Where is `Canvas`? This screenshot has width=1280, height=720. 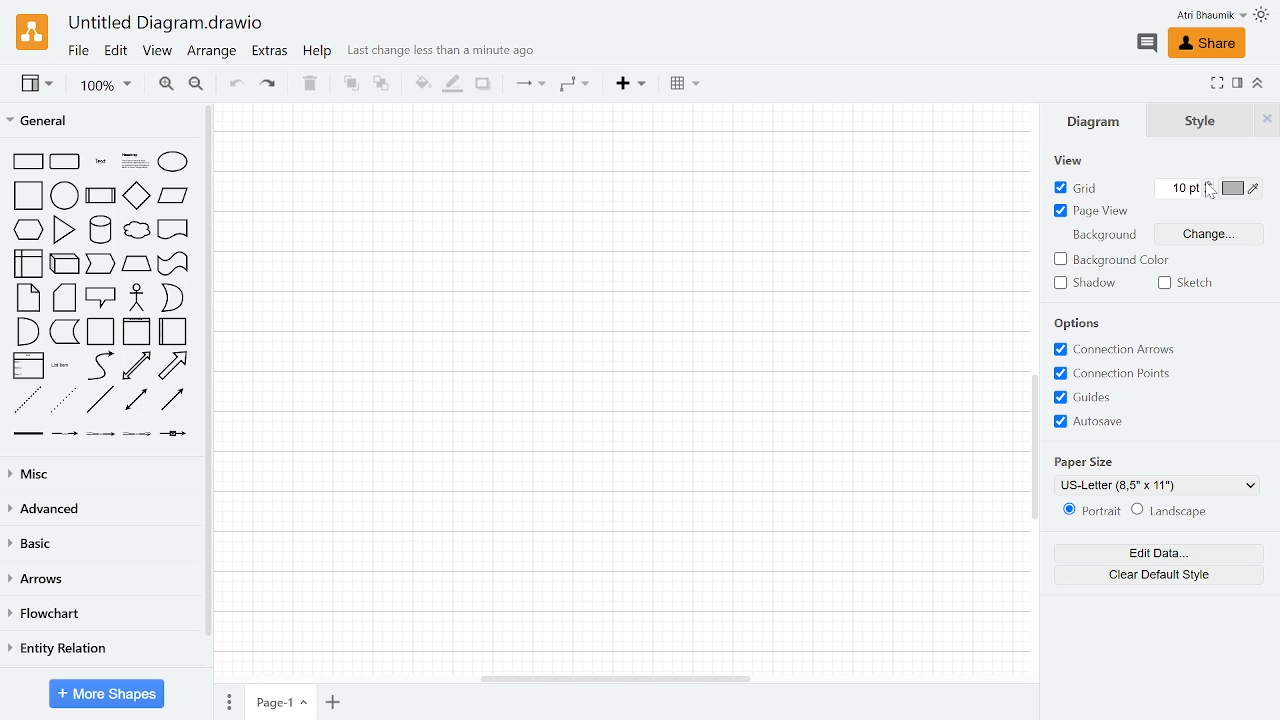 Canvas is located at coordinates (620, 377).